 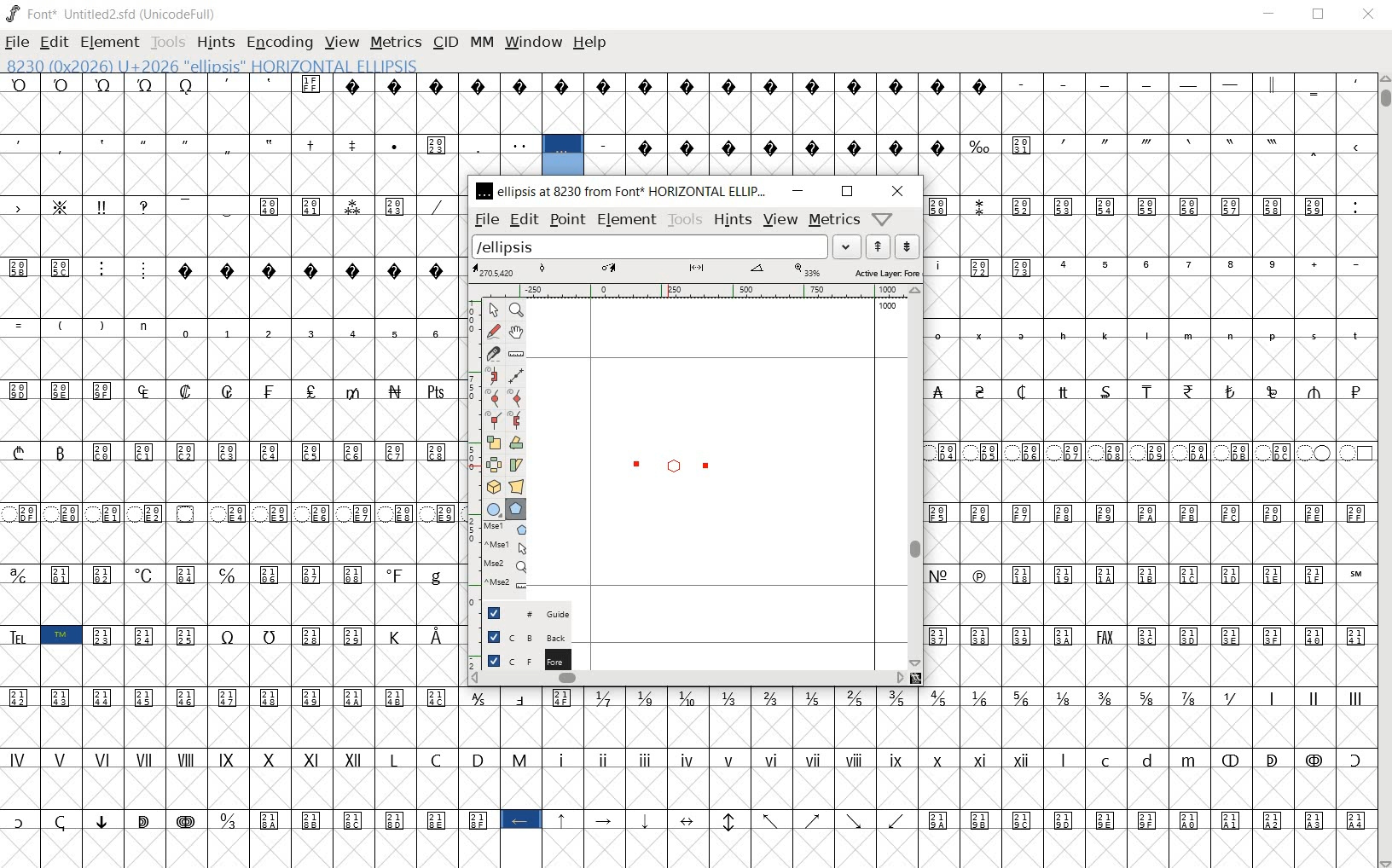 What do you see at coordinates (278, 43) in the screenshot?
I see `ENCODING` at bounding box center [278, 43].